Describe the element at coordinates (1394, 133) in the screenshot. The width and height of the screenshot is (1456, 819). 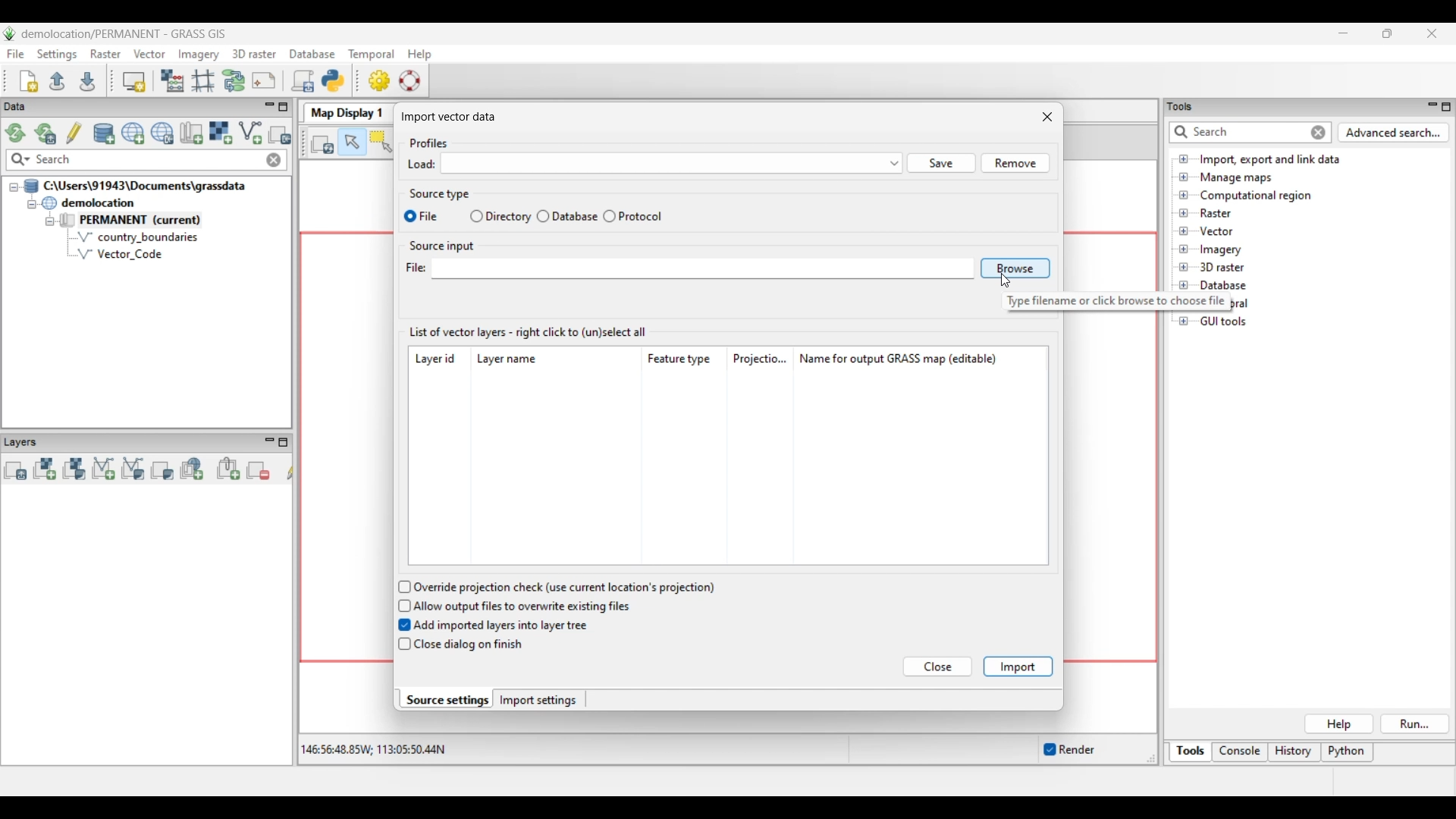
I see `Advanced search for Tools panel` at that location.